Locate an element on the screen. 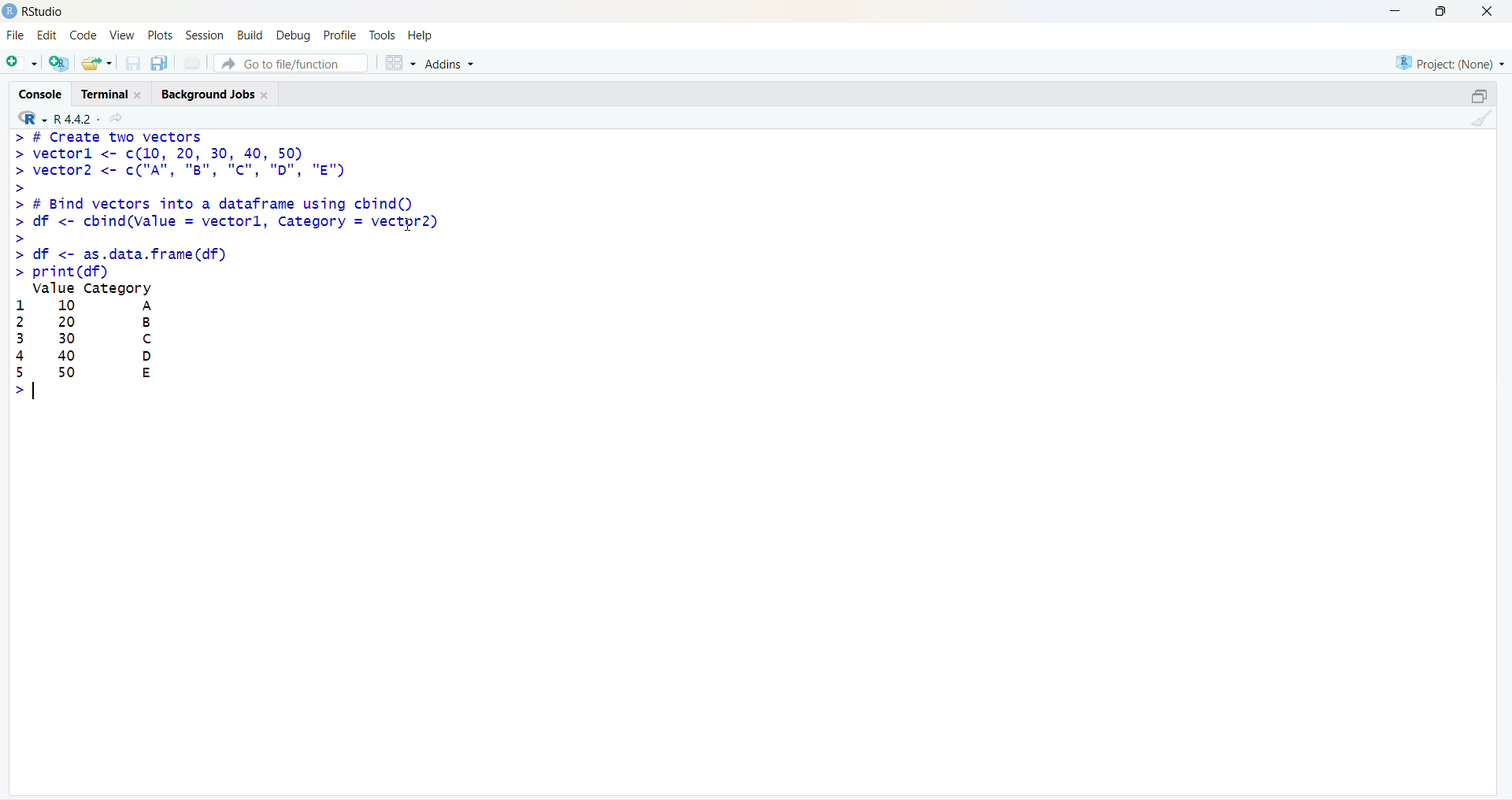  Terminal is located at coordinates (109, 94).